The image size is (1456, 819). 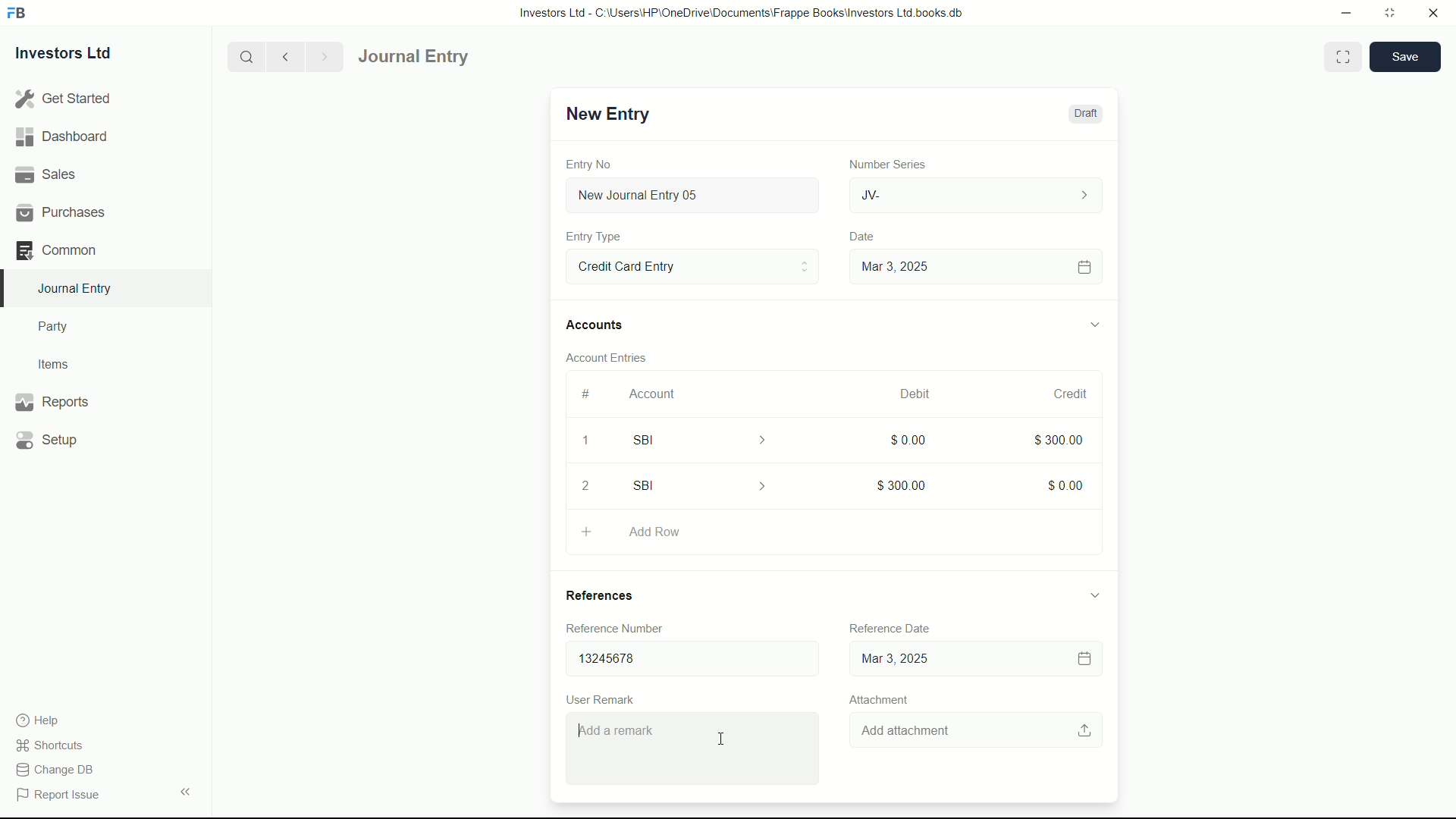 What do you see at coordinates (1084, 114) in the screenshot?
I see `Draft` at bounding box center [1084, 114].